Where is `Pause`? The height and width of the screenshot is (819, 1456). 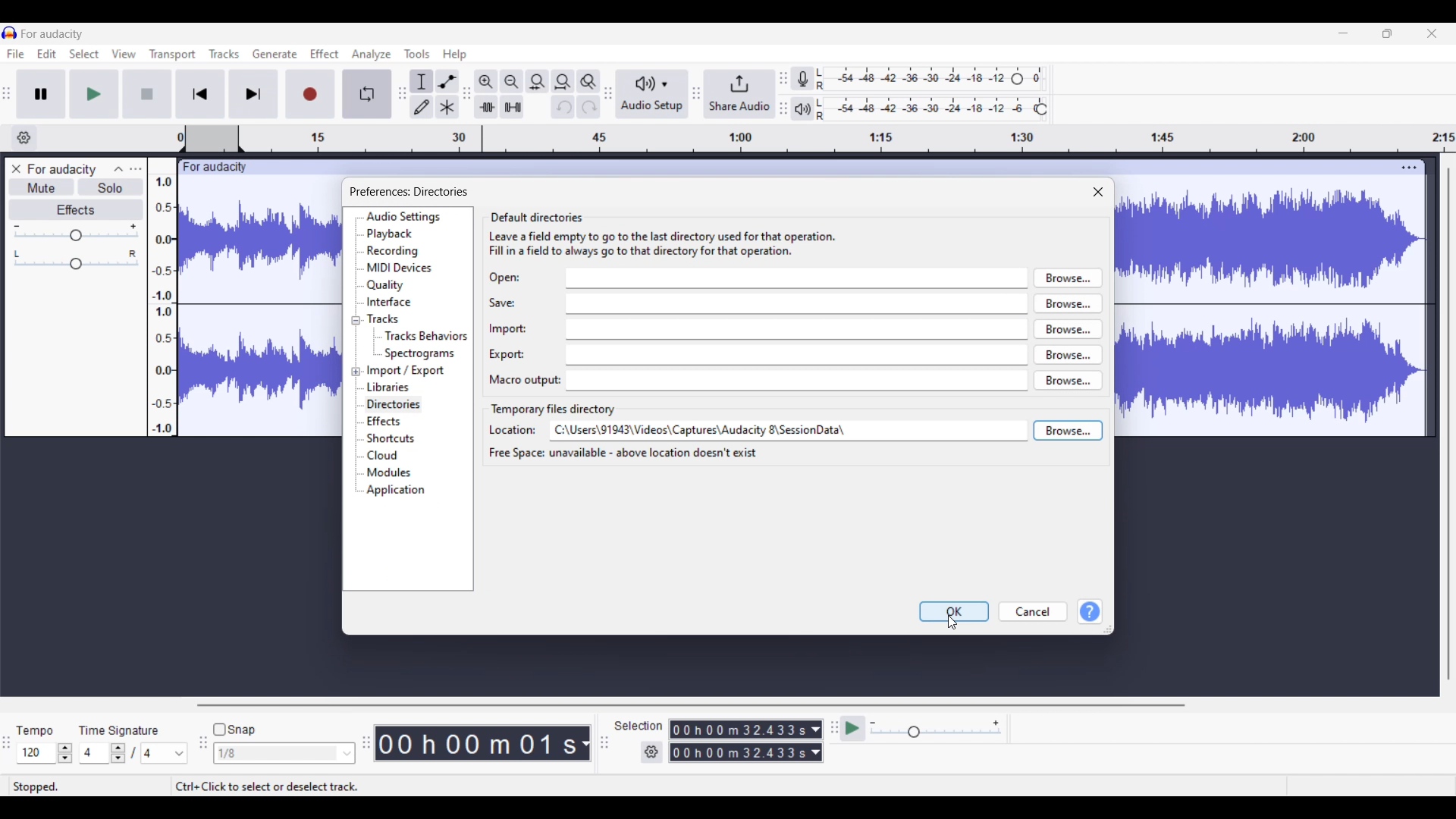 Pause is located at coordinates (42, 94).